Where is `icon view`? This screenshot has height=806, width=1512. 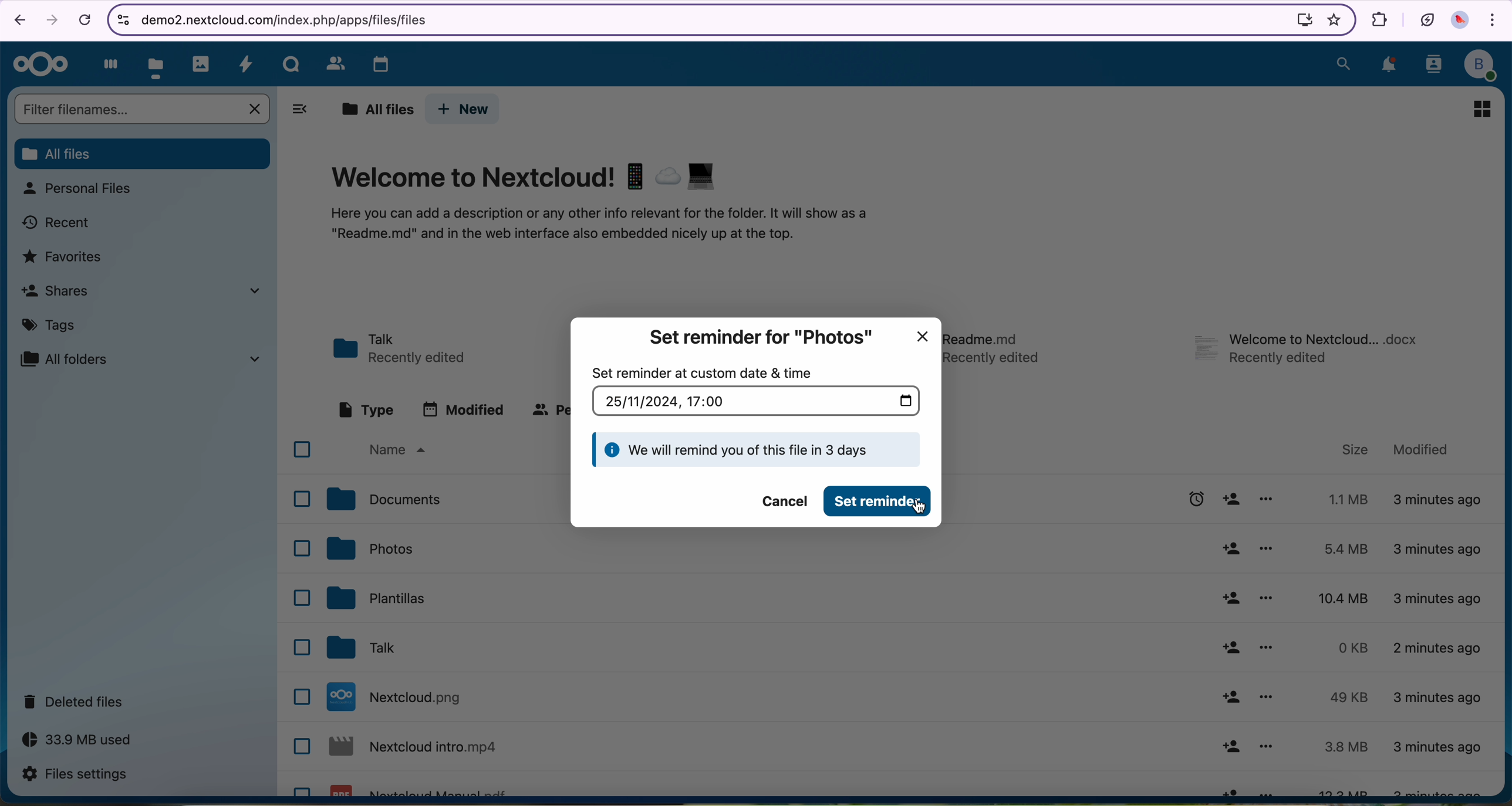 icon view is located at coordinates (1481, 109).